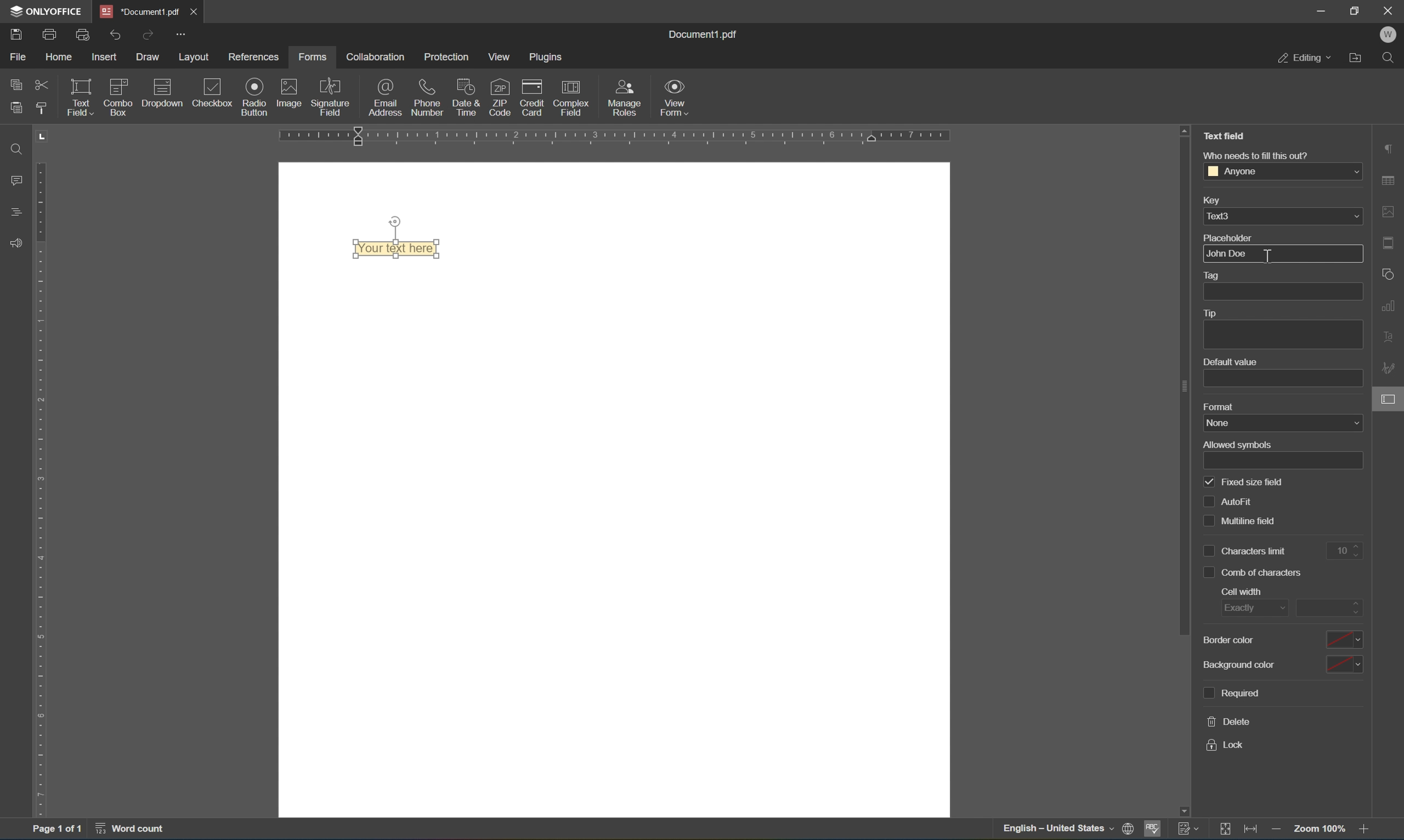 This screenshot has height=840, width=1404. What do you see at coordinates (17, 56) in the screenshot?
I see `file` at bounding box center [17, 56].